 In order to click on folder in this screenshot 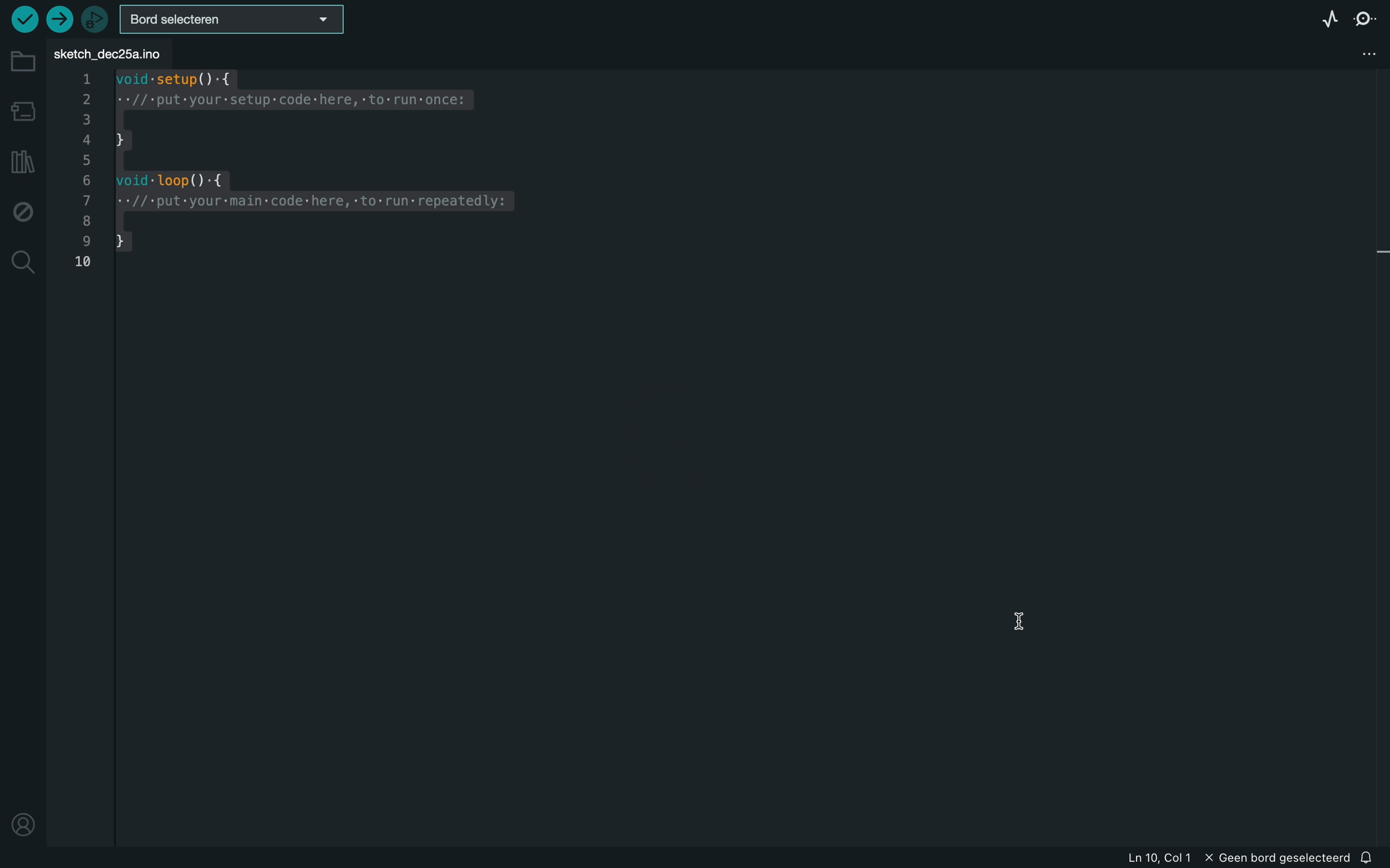, I will do `click(23, 62)`.